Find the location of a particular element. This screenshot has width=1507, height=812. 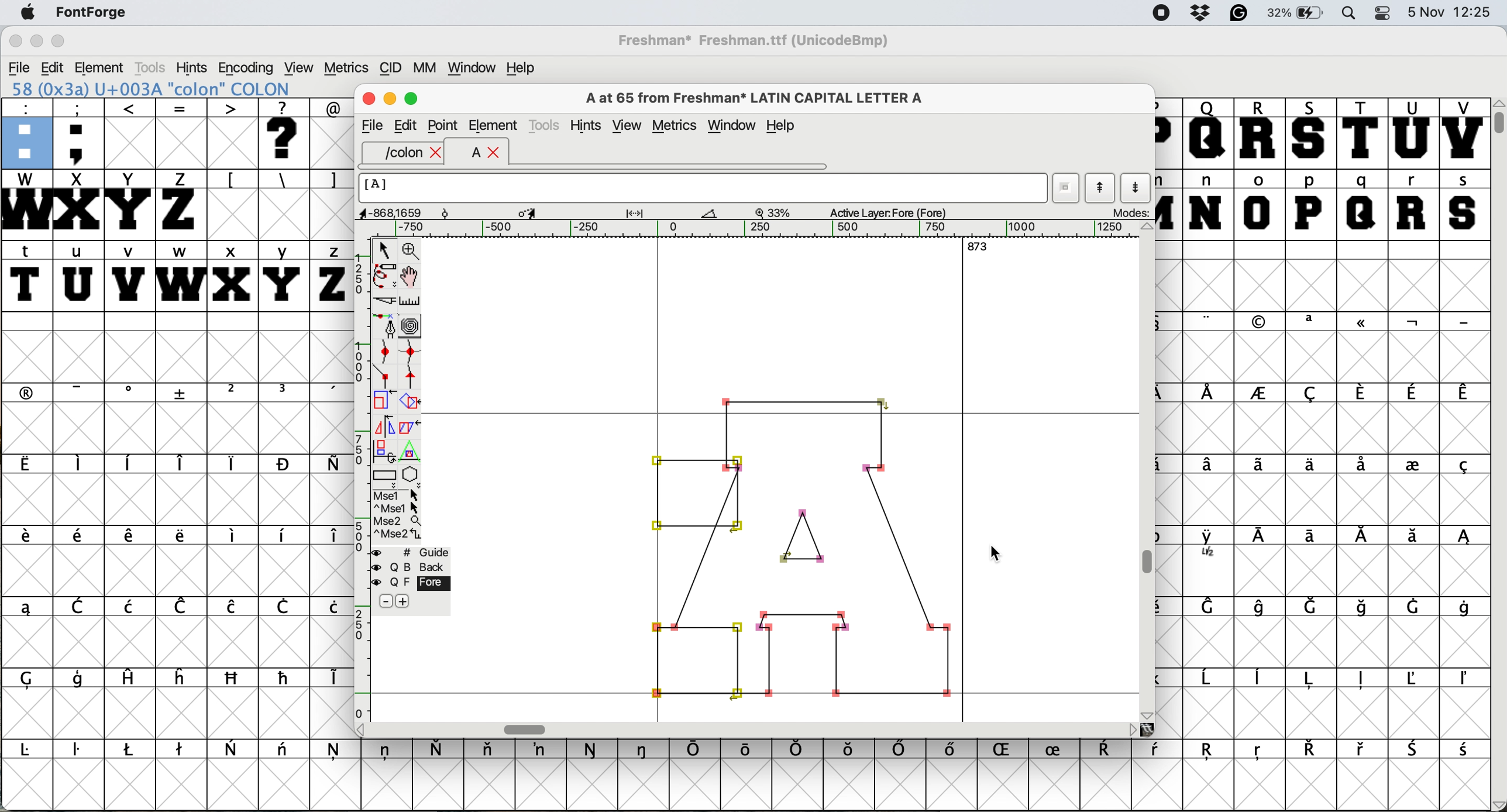

scroll by hand is located at coordinates (413, 273).